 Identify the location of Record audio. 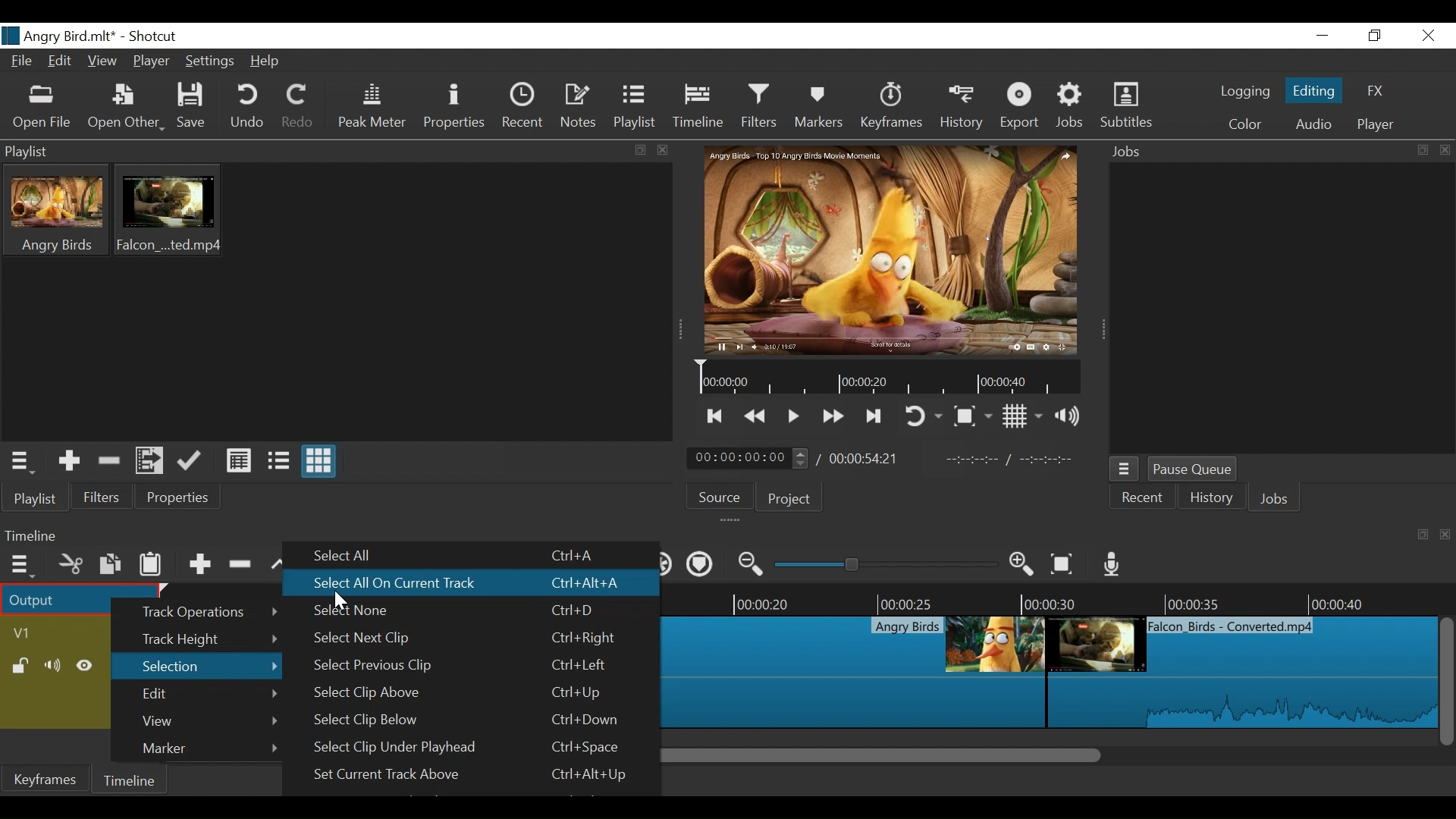
(1109, 565).